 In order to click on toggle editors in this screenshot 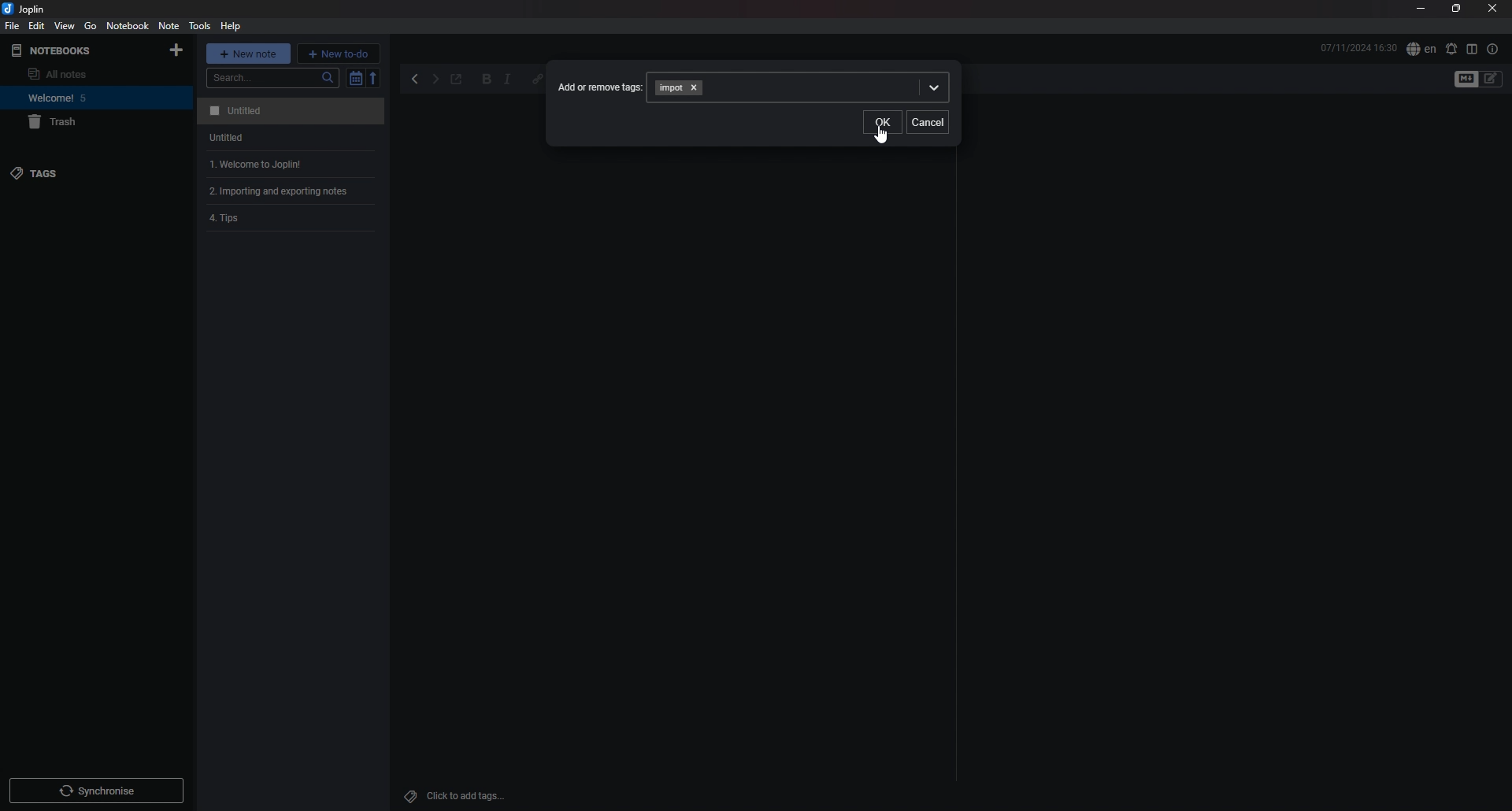, I will do `click(1466, 80)`.